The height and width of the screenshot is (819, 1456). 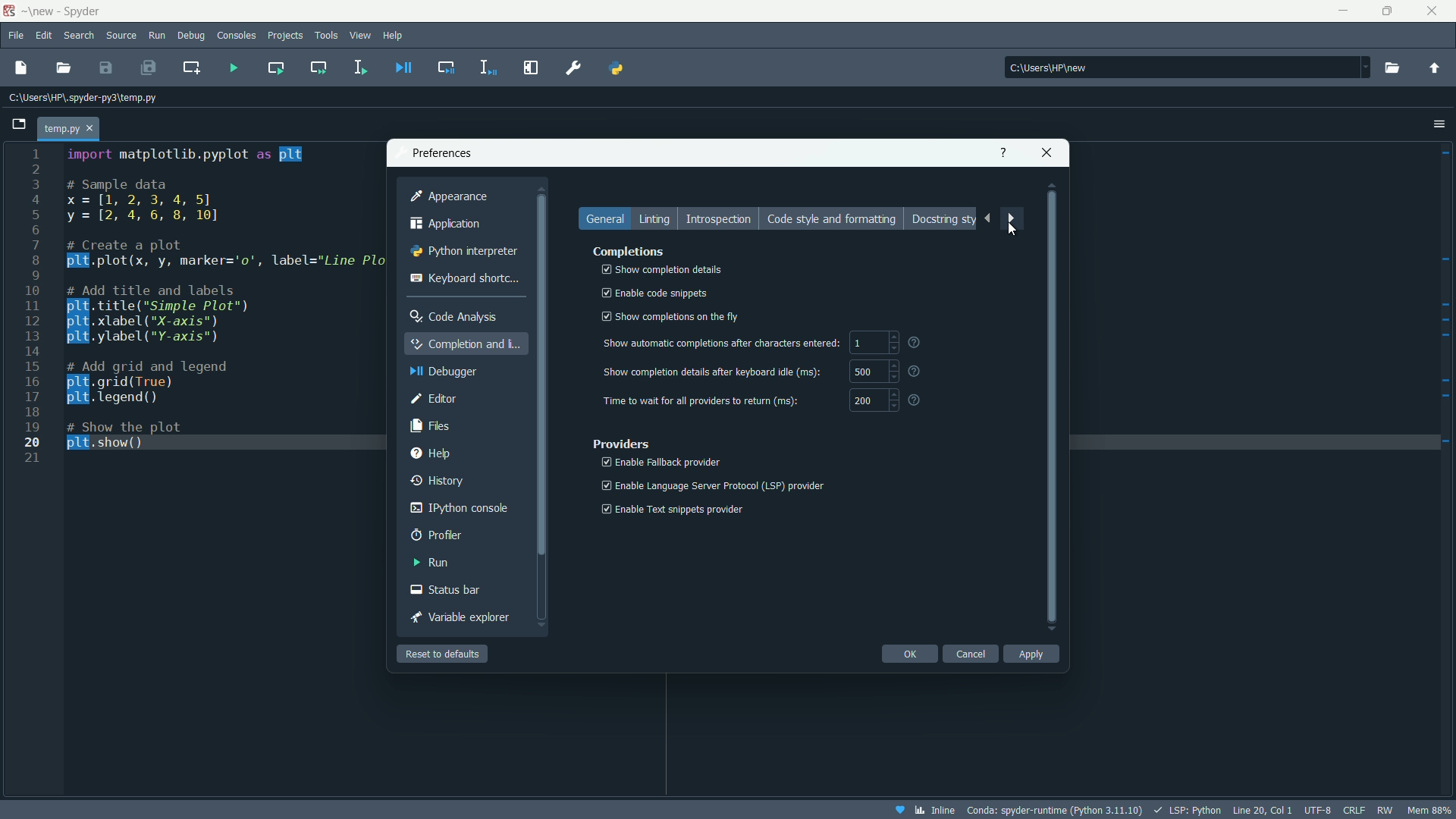 I want to click on source, so click(x=121, y=36).